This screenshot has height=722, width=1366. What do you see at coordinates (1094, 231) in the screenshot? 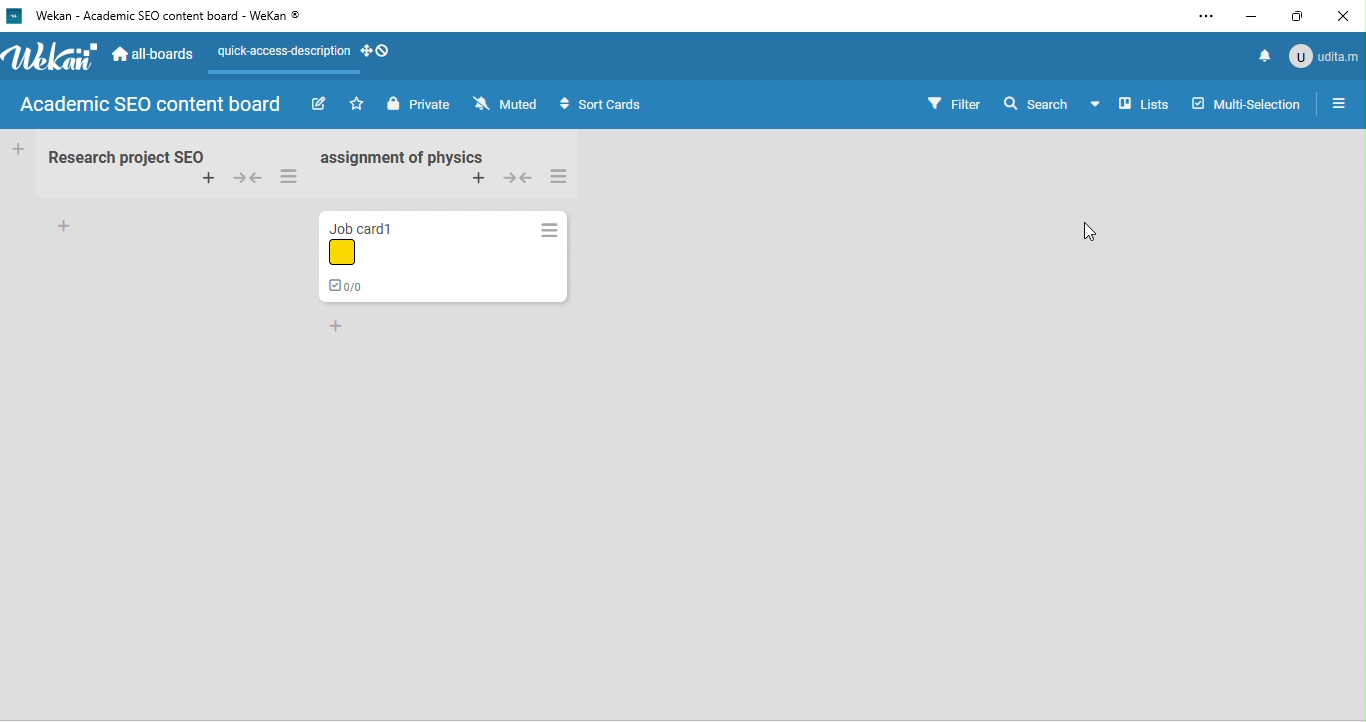
I see `cursor movement` at bounding box center [1094, 231].